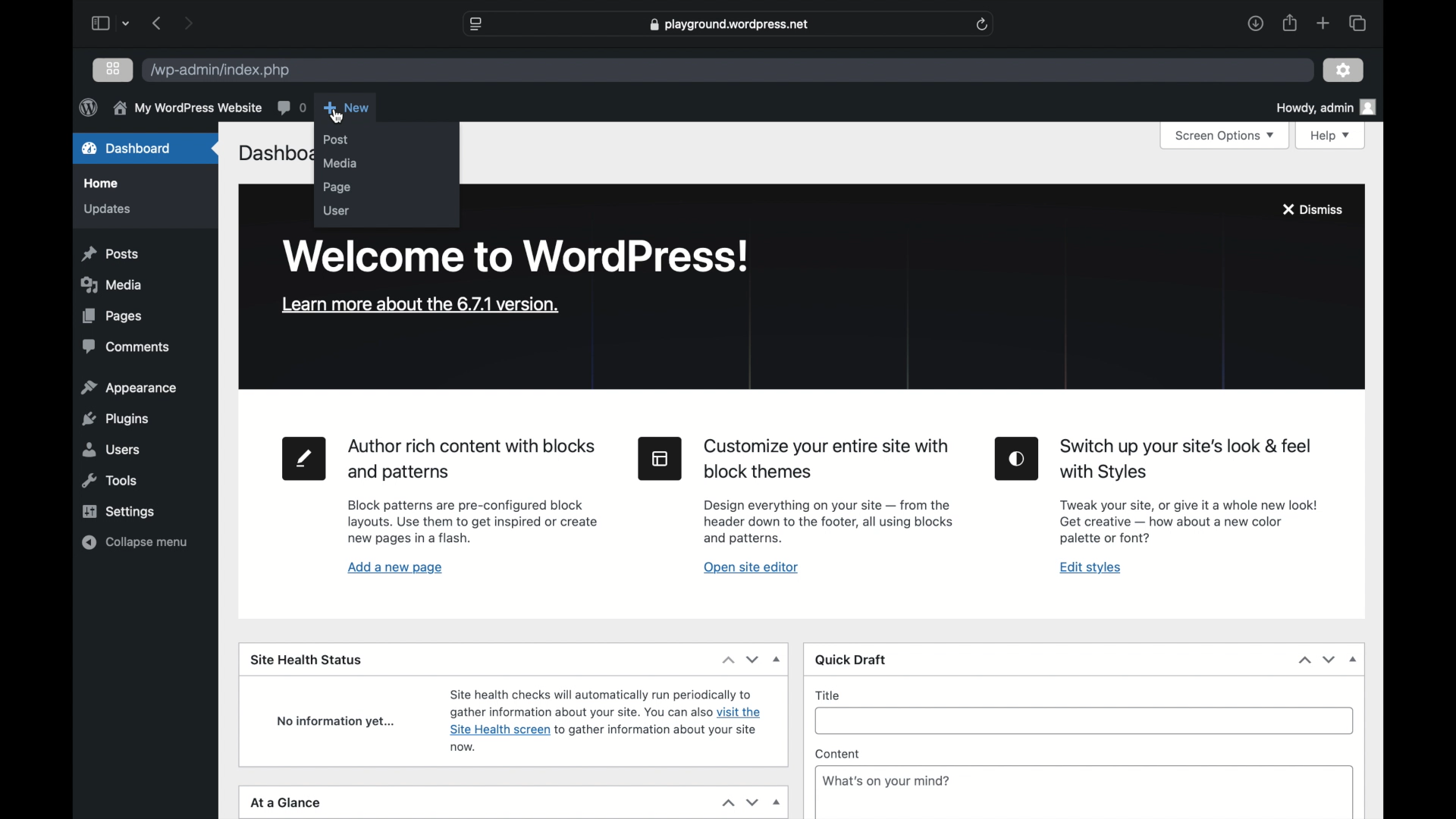 This screenshot has width=1456, height=819. What do you see at coordinates (135, 542) in the screenshot?
I see `collapse menu` at bounding box center [135, 542].